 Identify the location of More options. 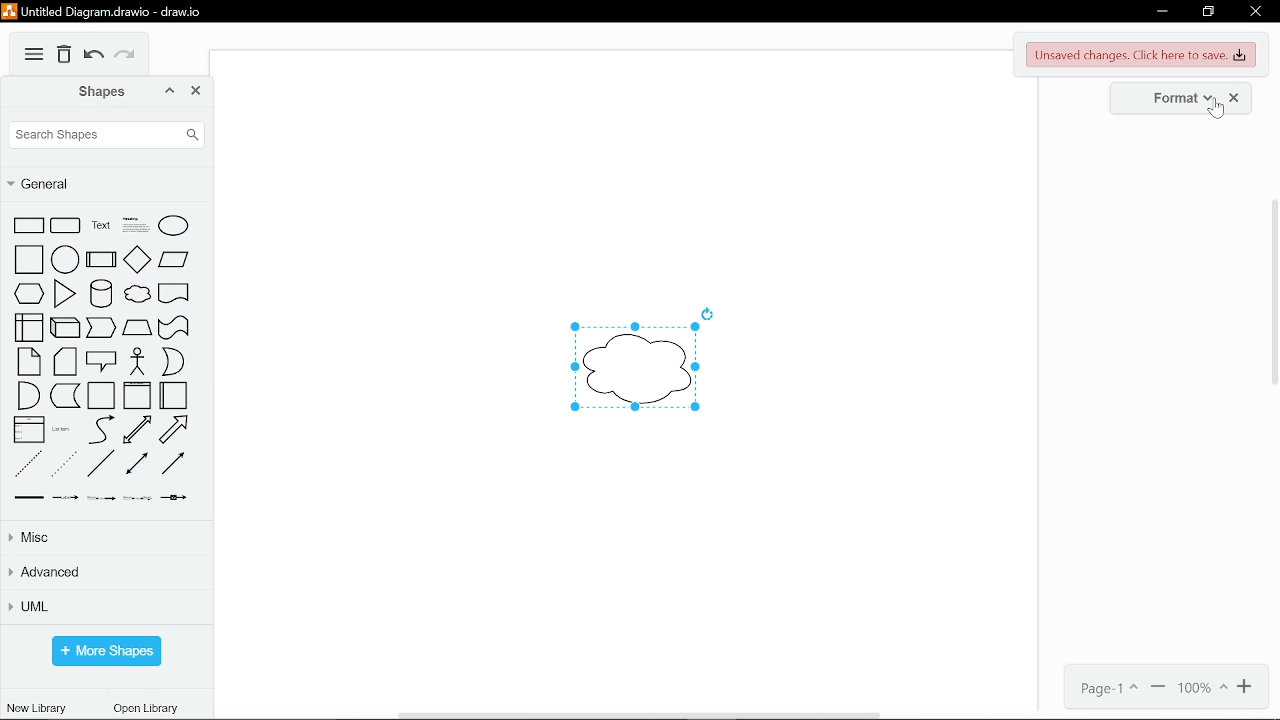
(34, 55).